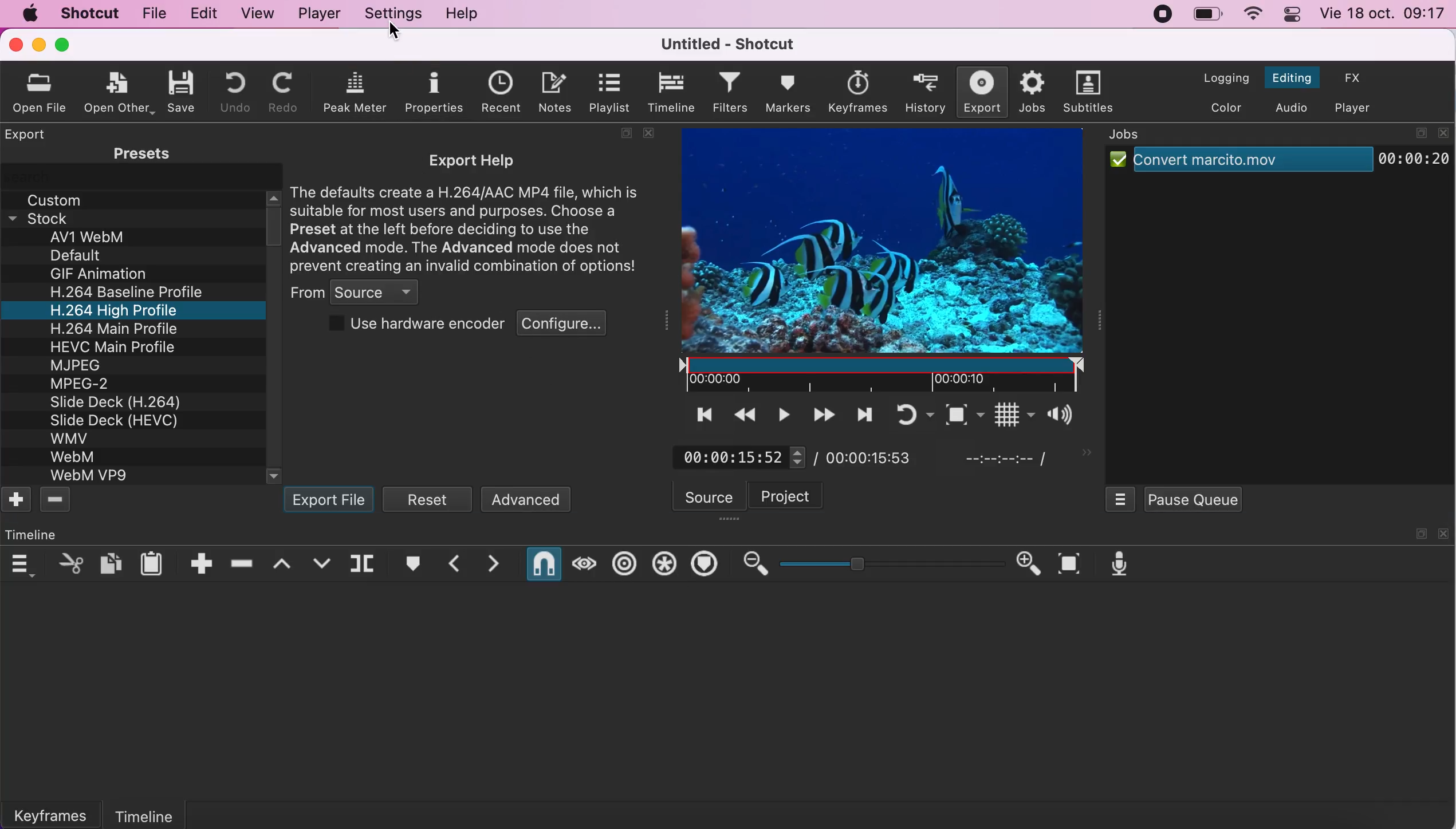 This screenshot has height=829, width=1456. Describe the element at coordinates (567, 326) in the screenshot. I see `configure` at that location.